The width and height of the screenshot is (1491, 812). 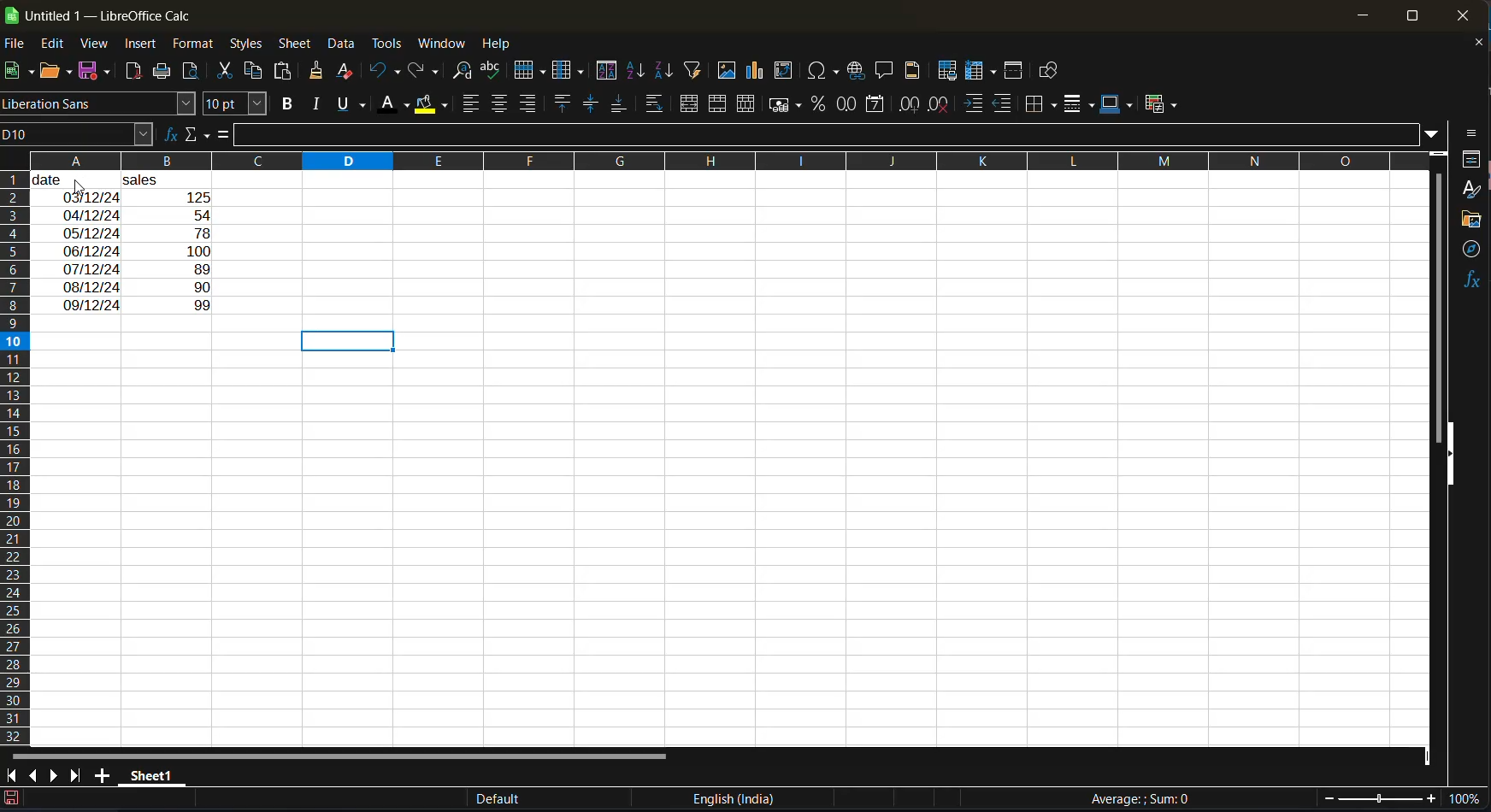 What do you see at coordinates (495, 71) in the screenshot?
I see `spelling` at bounding box center [495, 71].